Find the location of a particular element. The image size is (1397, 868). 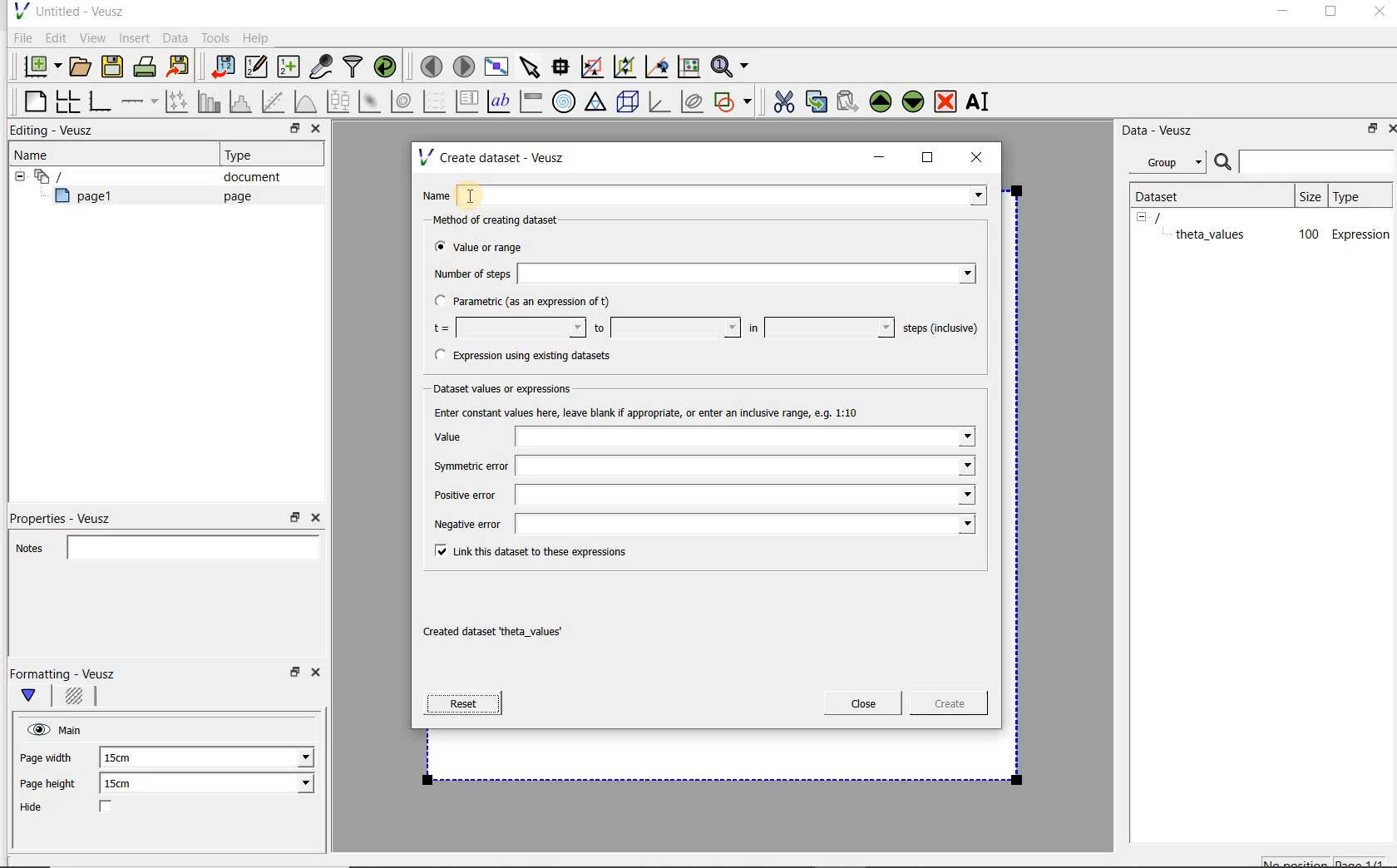

Page width is located at coordinates (47, 755).